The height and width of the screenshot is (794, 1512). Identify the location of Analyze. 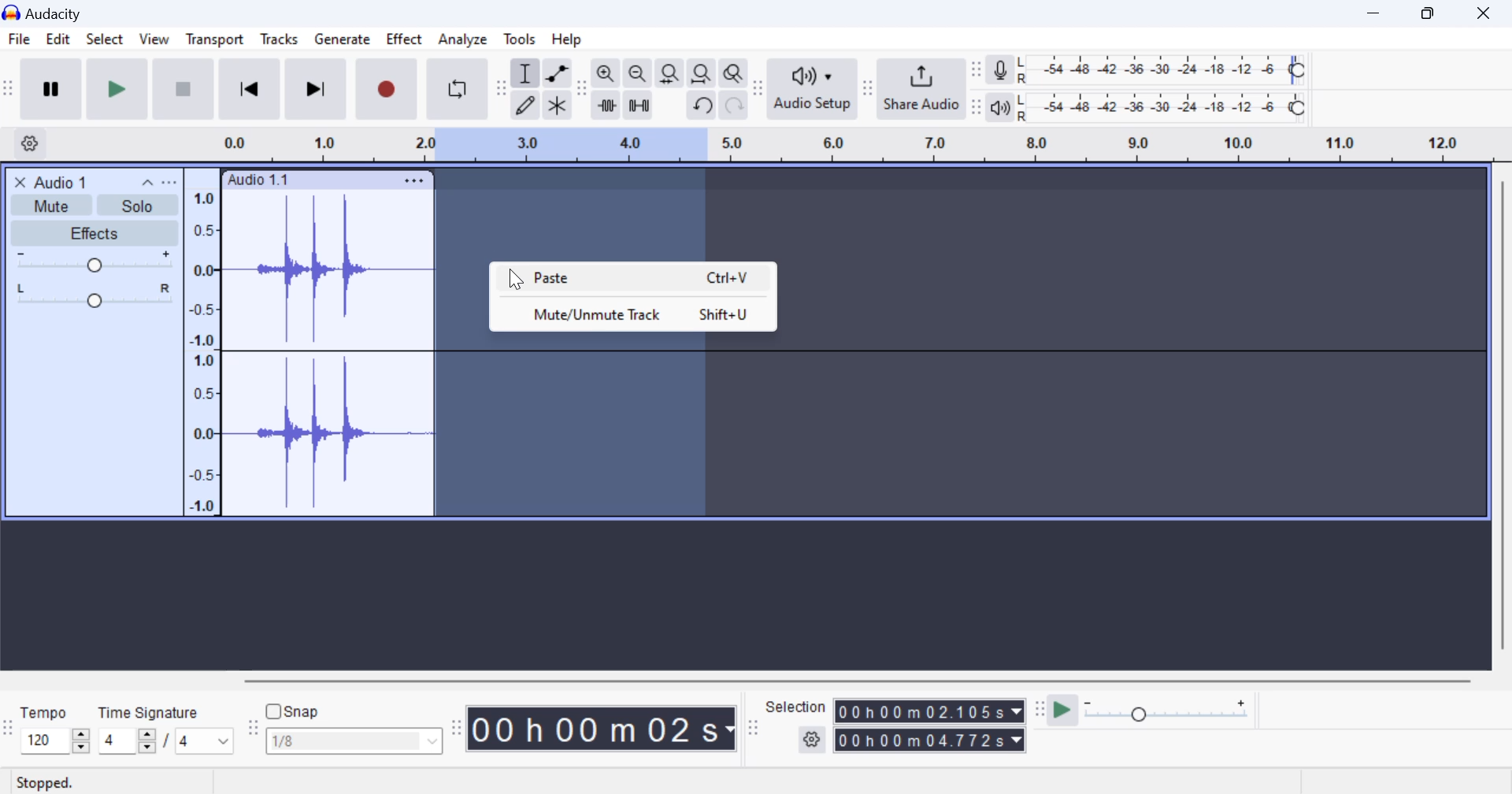
(463, 39).